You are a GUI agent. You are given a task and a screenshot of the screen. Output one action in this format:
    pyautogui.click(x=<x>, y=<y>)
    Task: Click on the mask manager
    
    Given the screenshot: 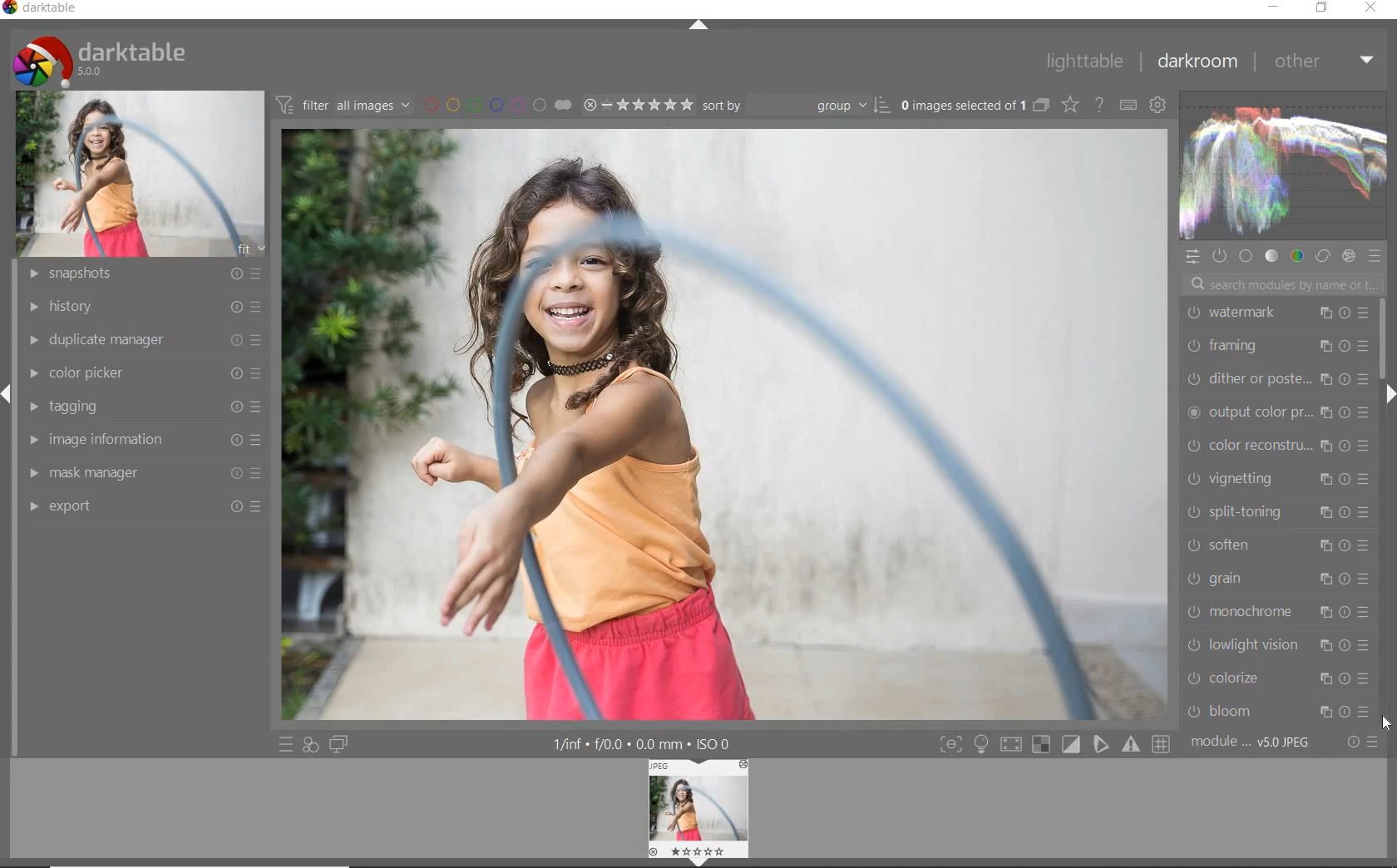 What is the action you would take?
    pyautogui.click(x=142, y=469)
    